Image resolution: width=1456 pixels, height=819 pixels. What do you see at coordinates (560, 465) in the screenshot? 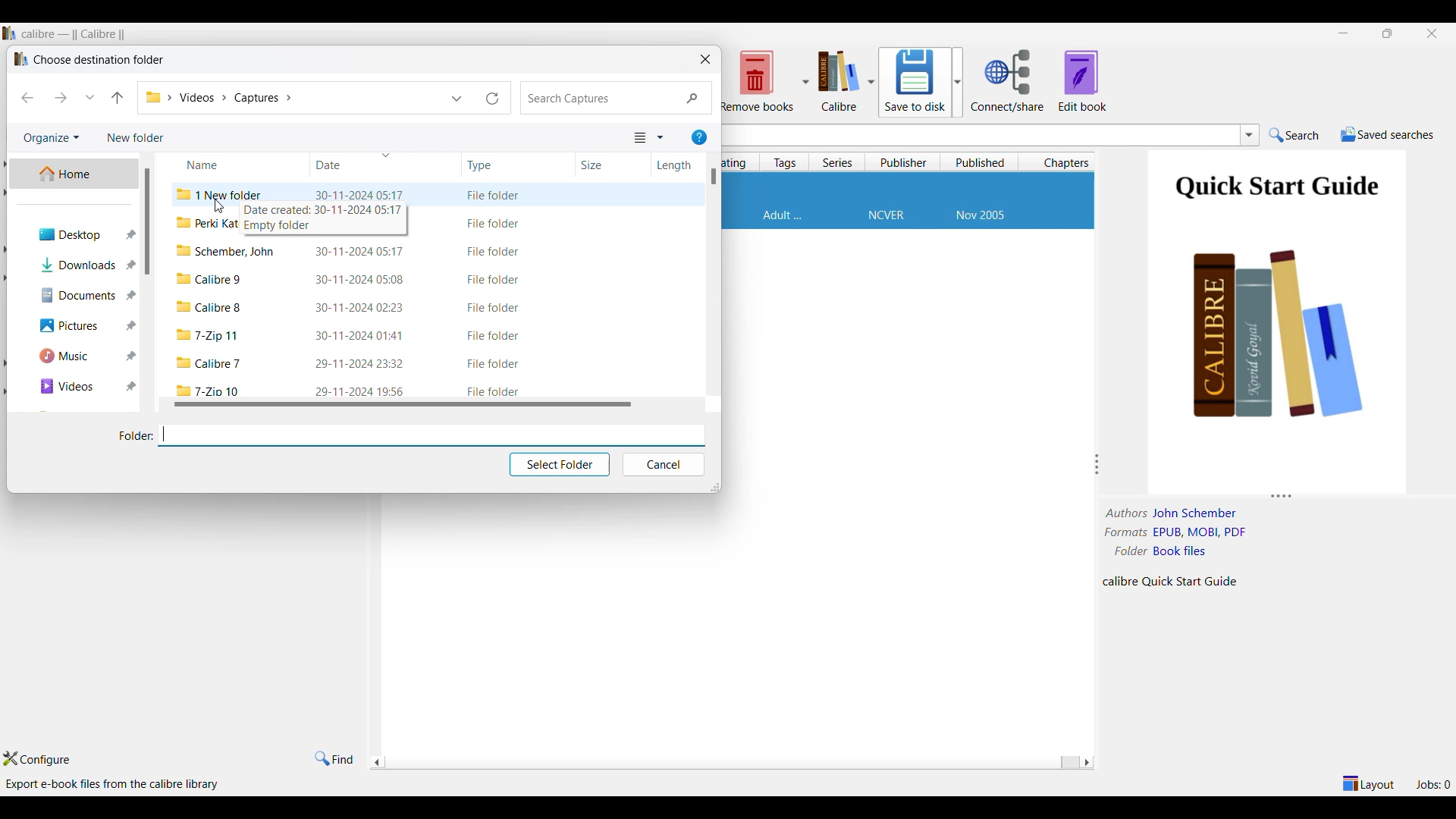
I see `Select folder` at bounding box center [560, 465].